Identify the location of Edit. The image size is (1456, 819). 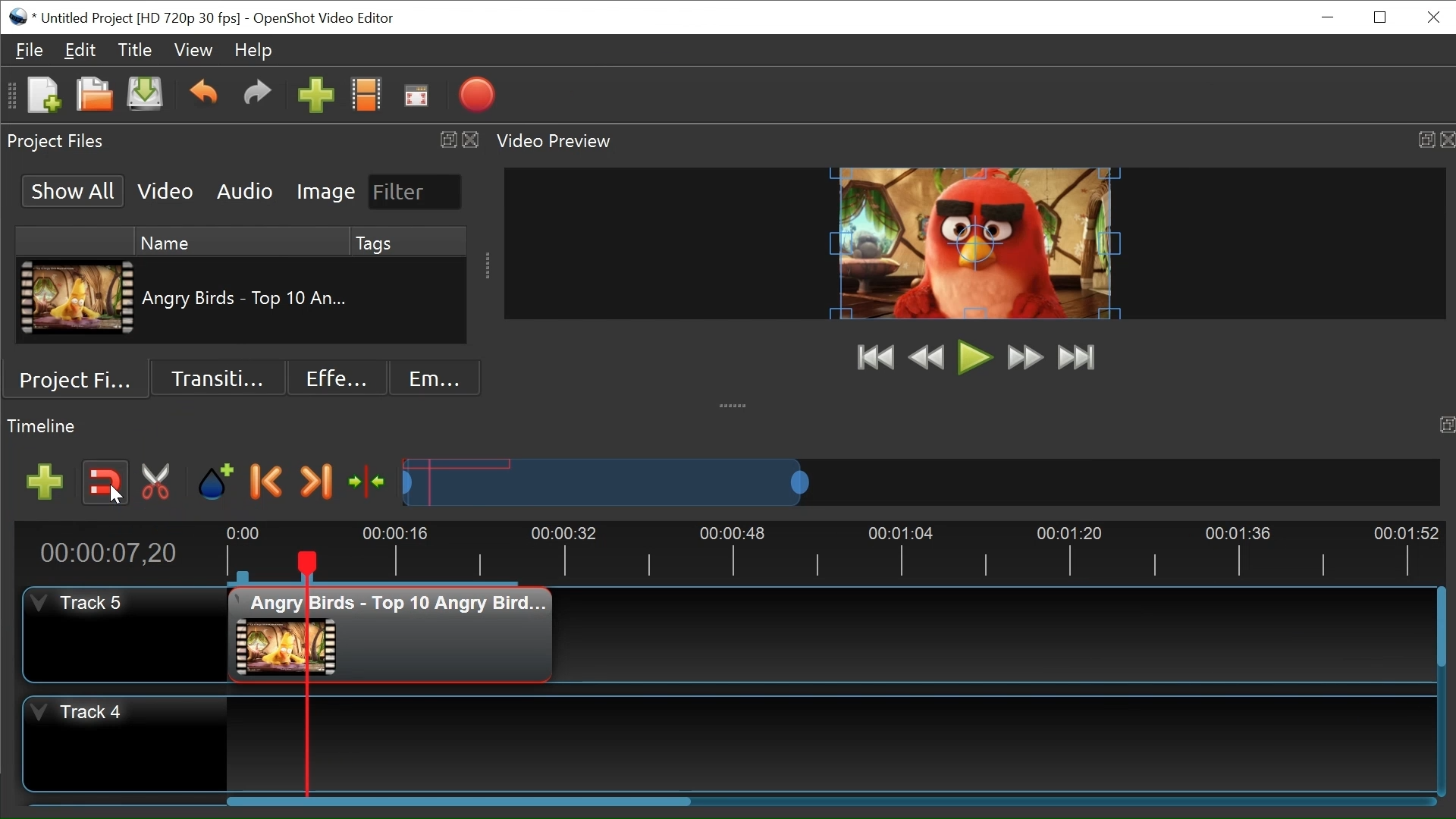
(80, 50).